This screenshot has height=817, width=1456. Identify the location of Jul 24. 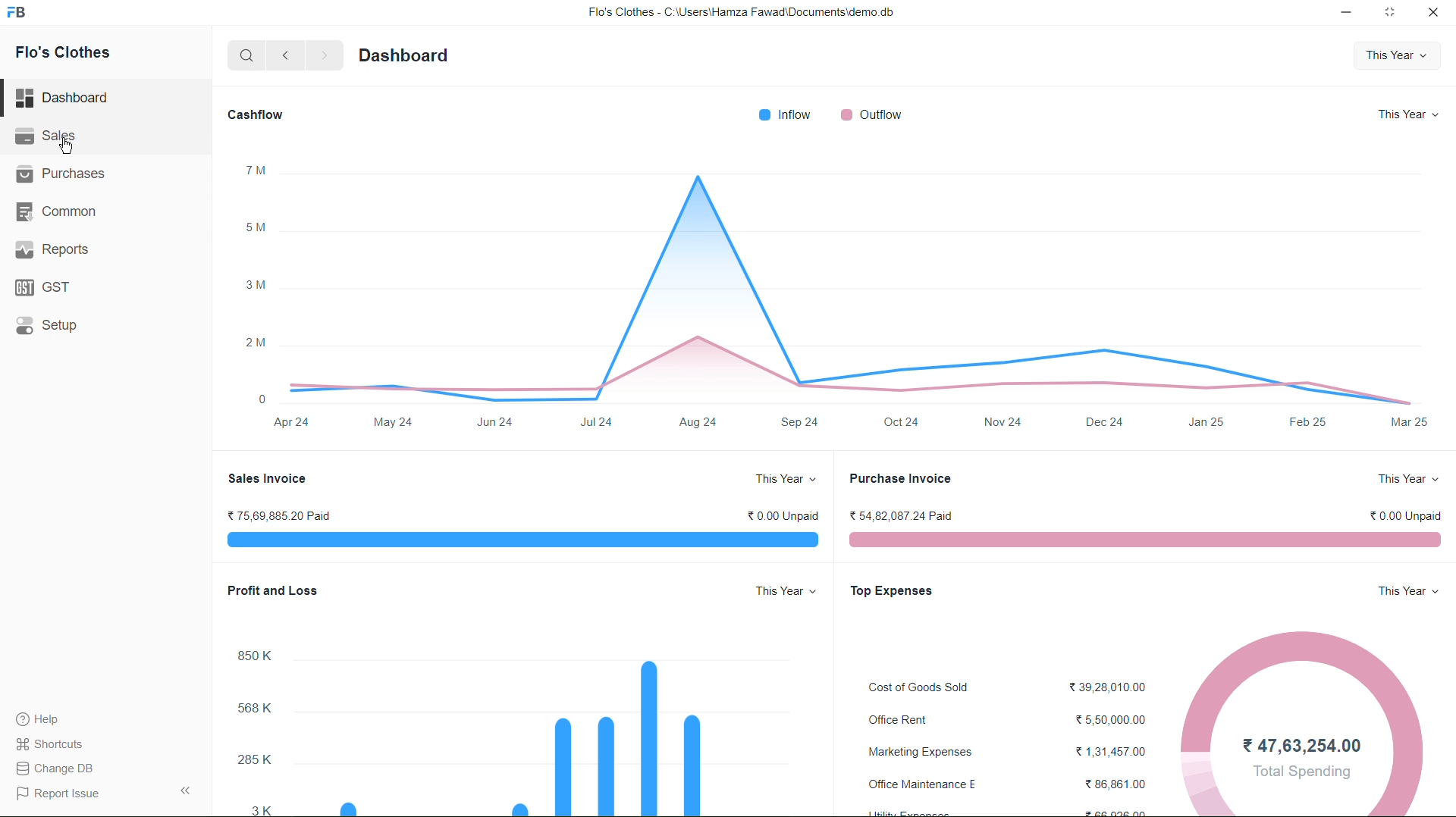
(591, 424).